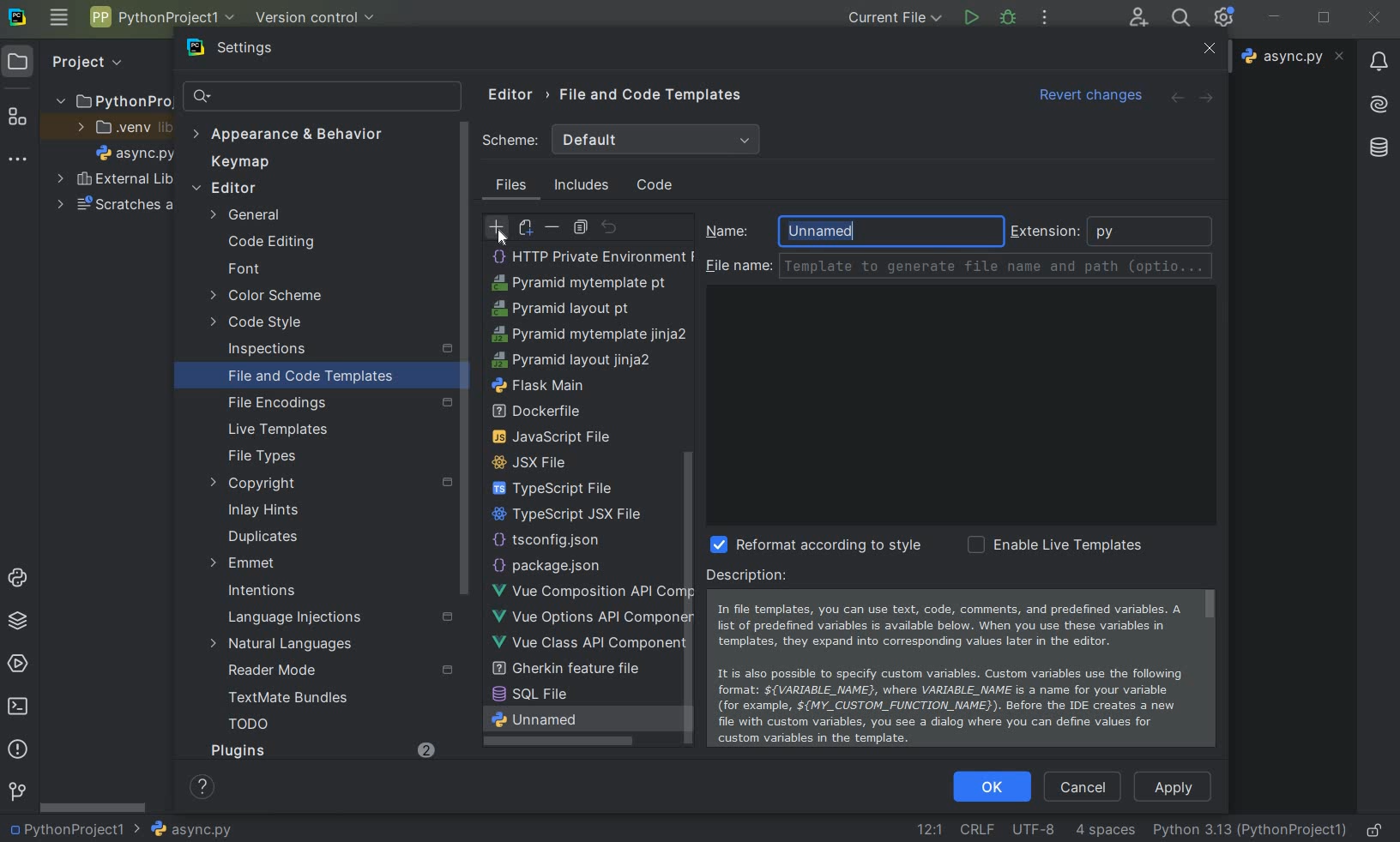 The width and height of the screenshot is (1400, 842). Describe the element at coordinates (18, 789) in the screenshot. I see `version control` at that location.